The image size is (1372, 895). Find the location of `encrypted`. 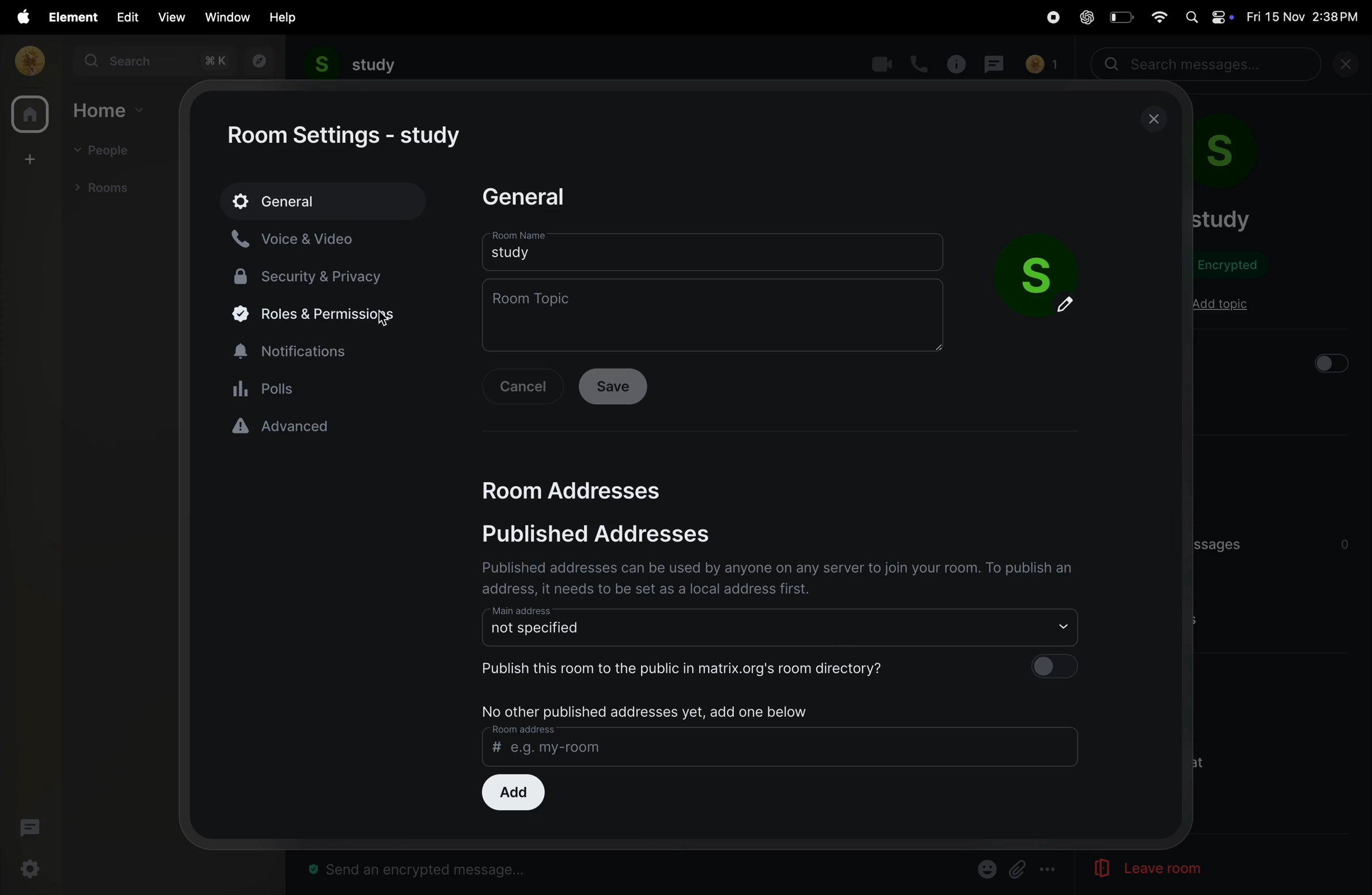

encrypted is located at coordinates (1234, 265).